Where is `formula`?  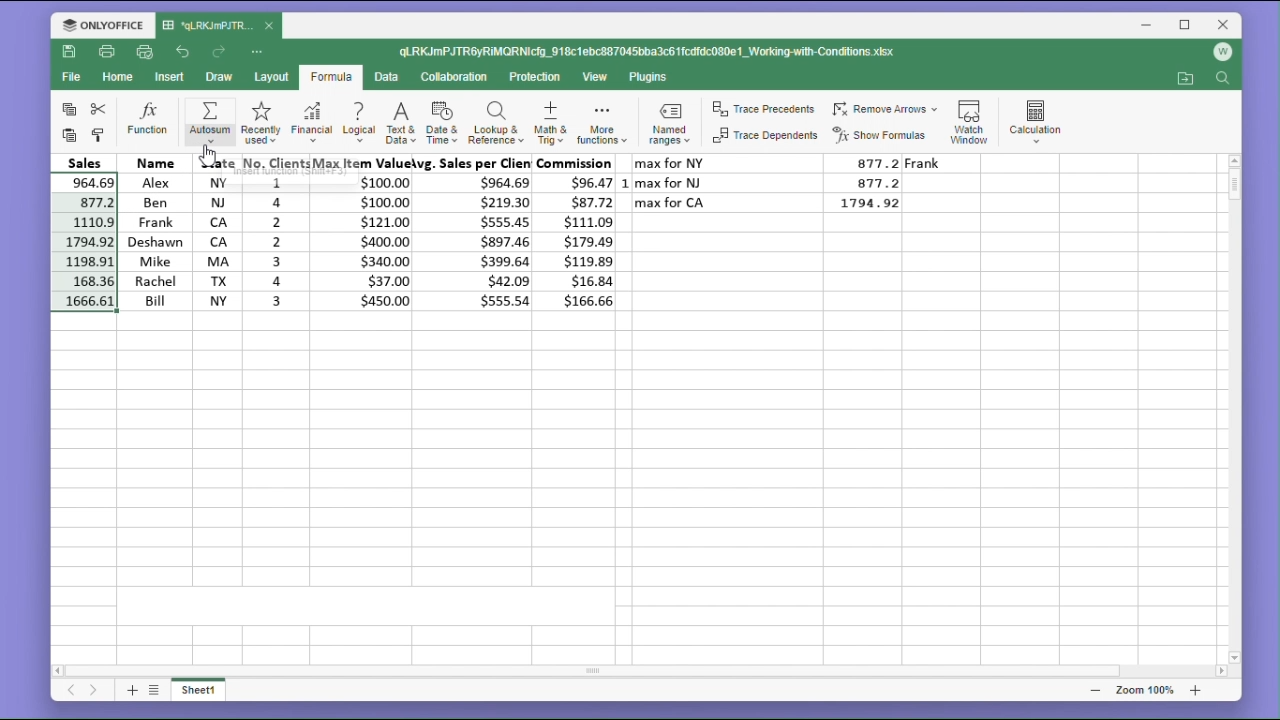
formula is located at coordinates (330, 78).